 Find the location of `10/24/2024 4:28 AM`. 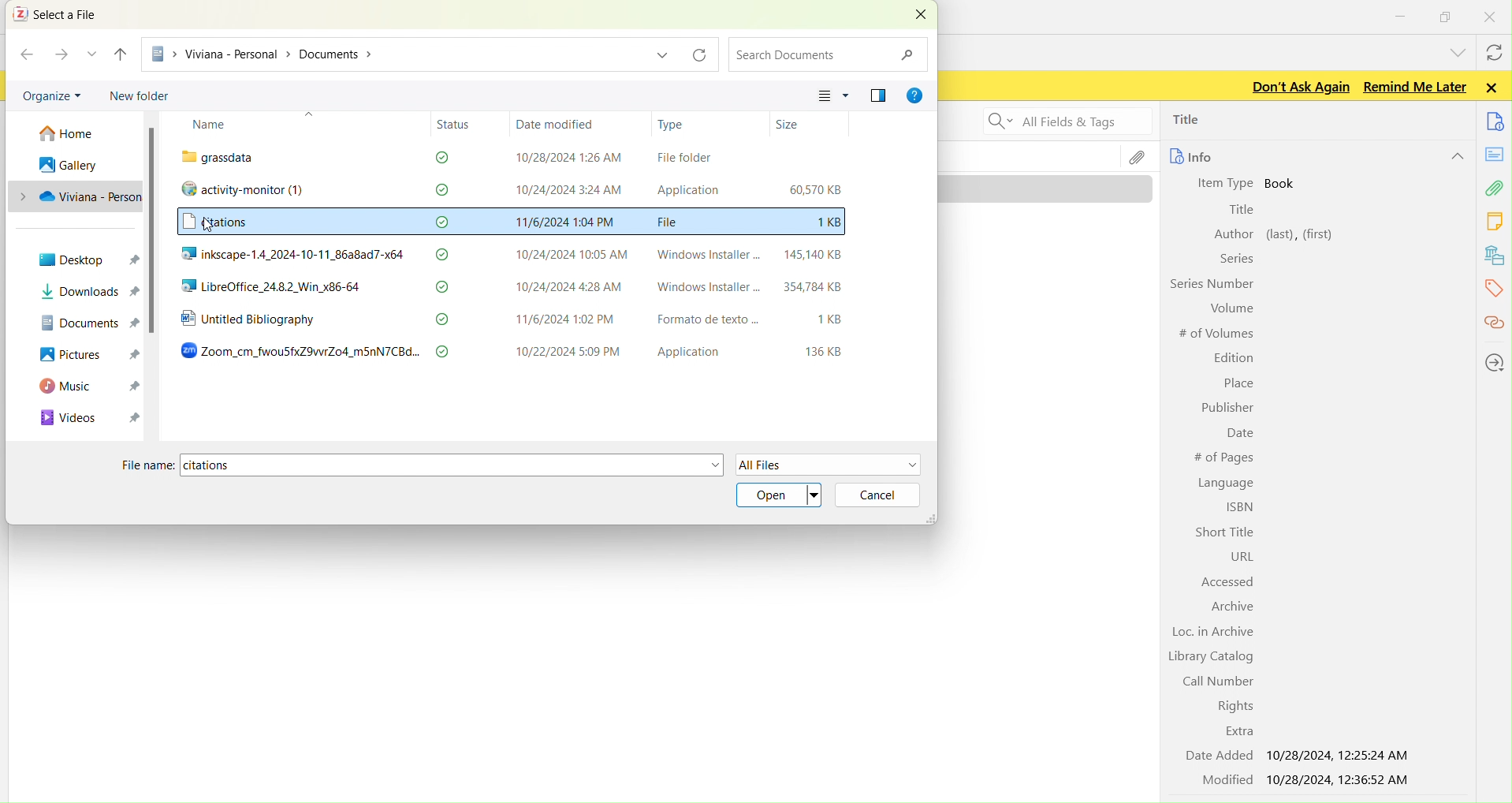

10/24/2024 4:28 AM is located at coordinates (564, 288).